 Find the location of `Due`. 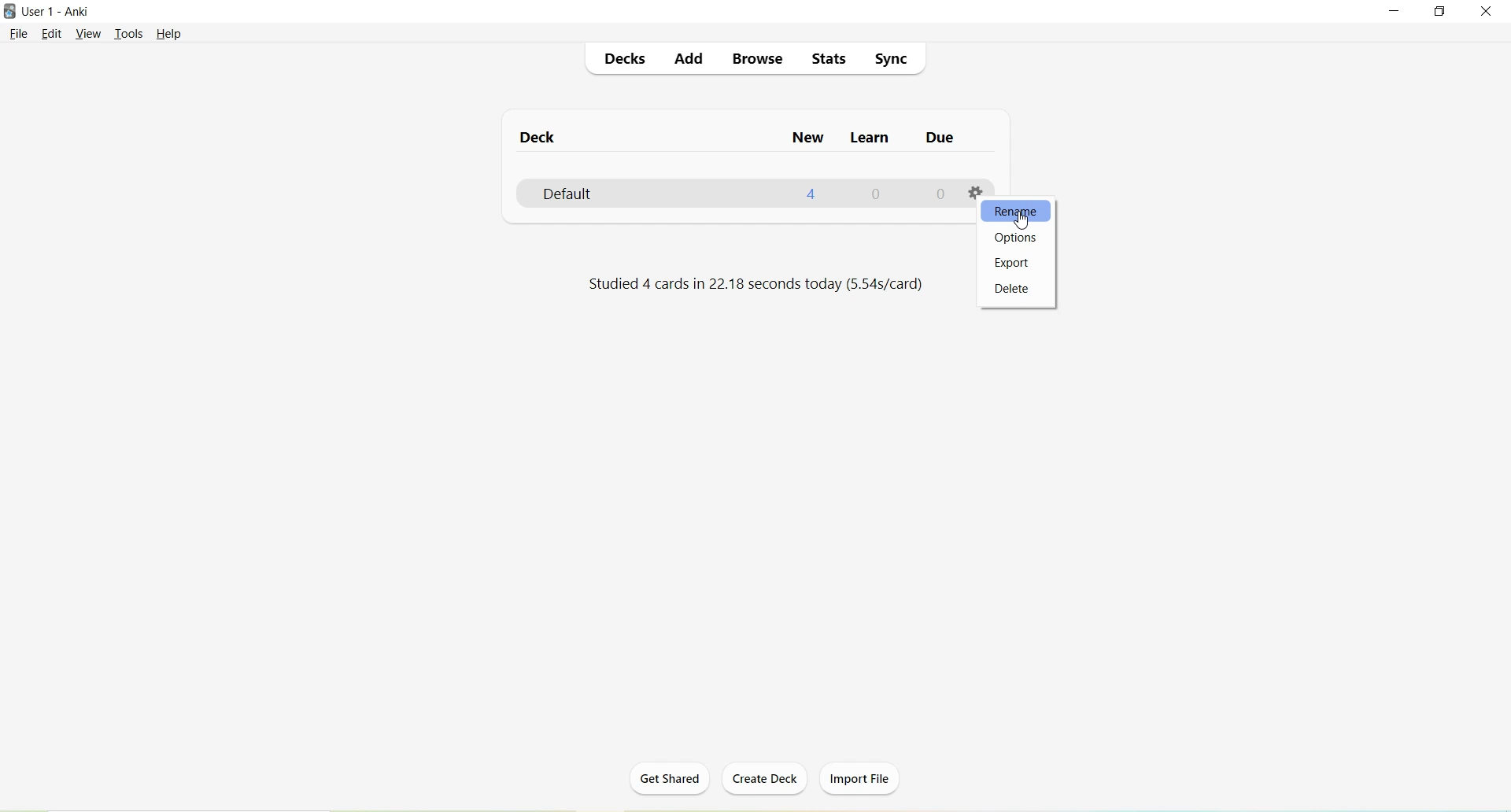

Due is located at coordinates (937, 140).